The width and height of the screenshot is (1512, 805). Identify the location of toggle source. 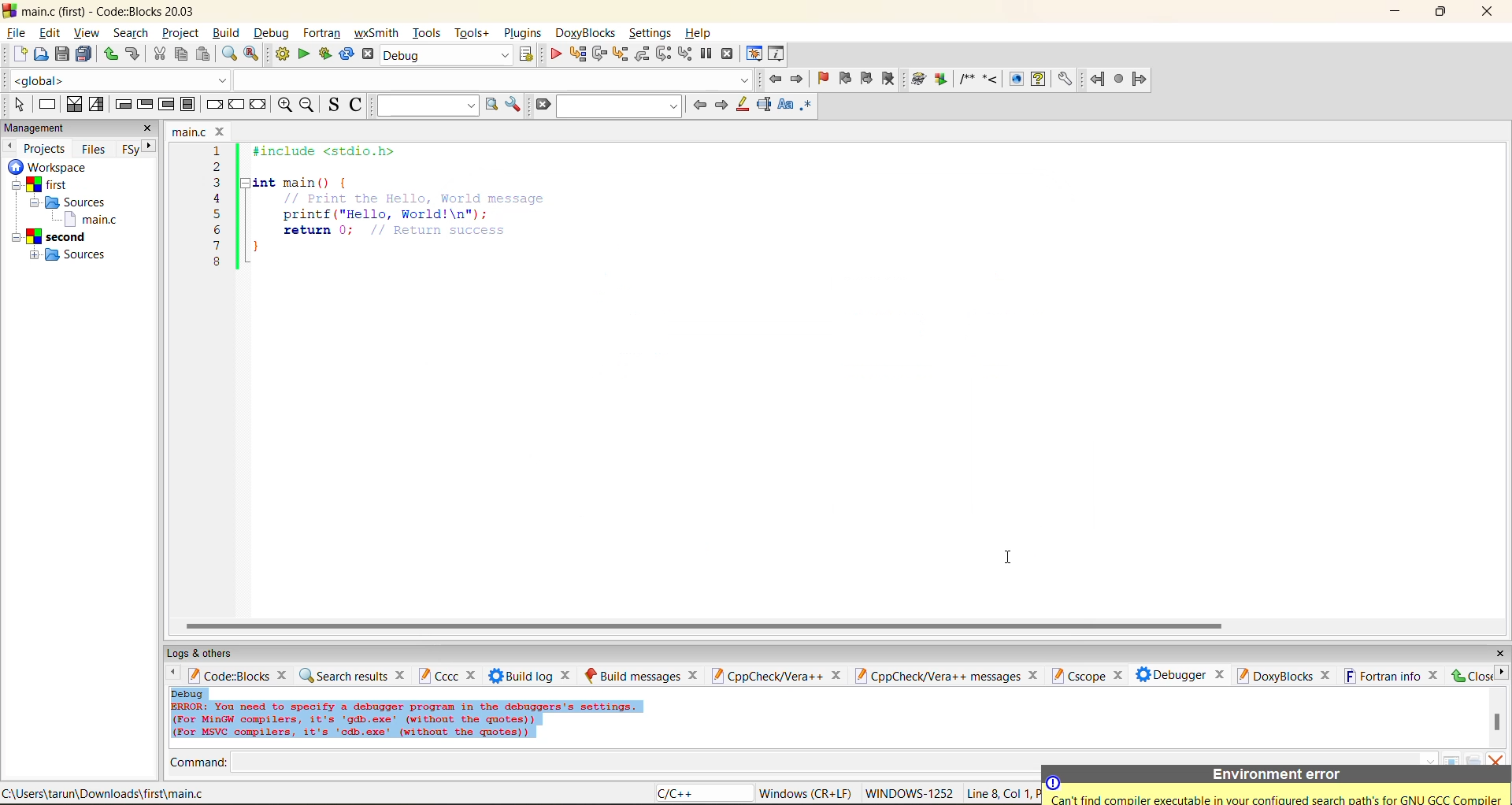
(335, 104).